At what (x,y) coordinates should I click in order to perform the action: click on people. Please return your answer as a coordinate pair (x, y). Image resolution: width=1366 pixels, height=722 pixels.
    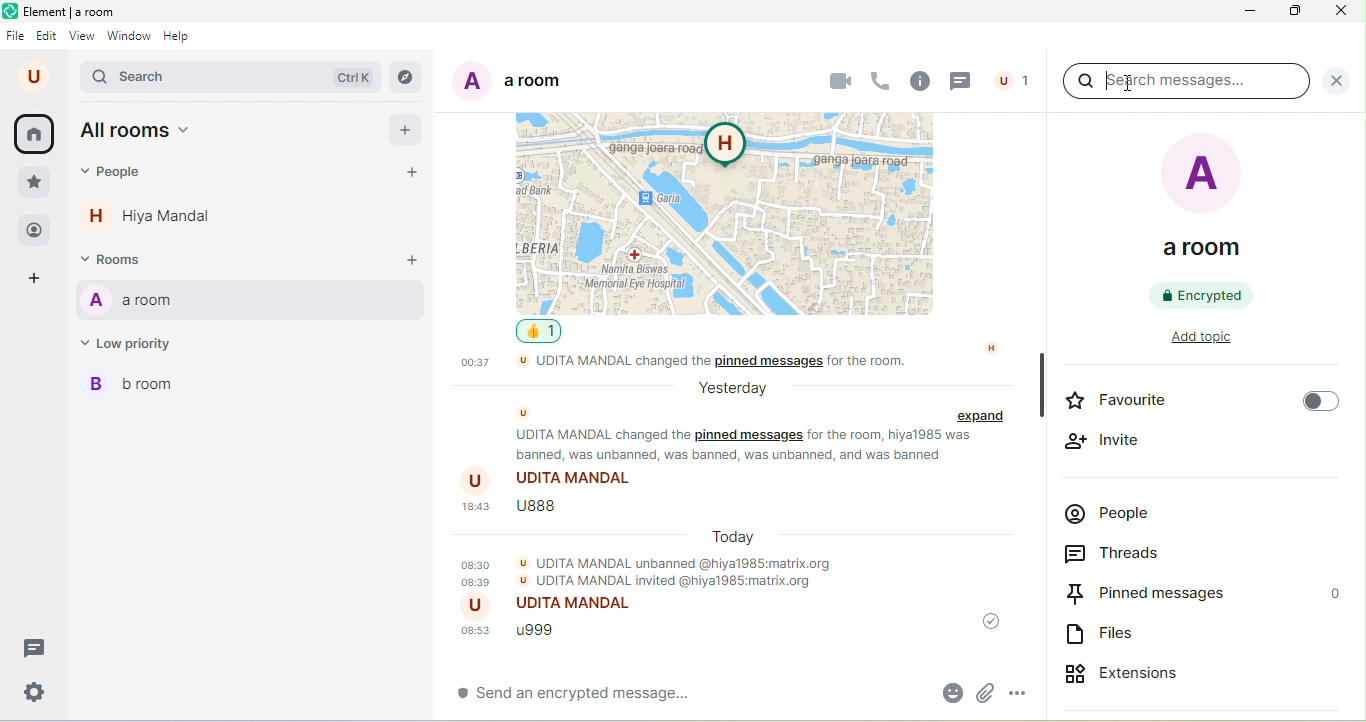
    Looking at the image, I should click on (33, 229).